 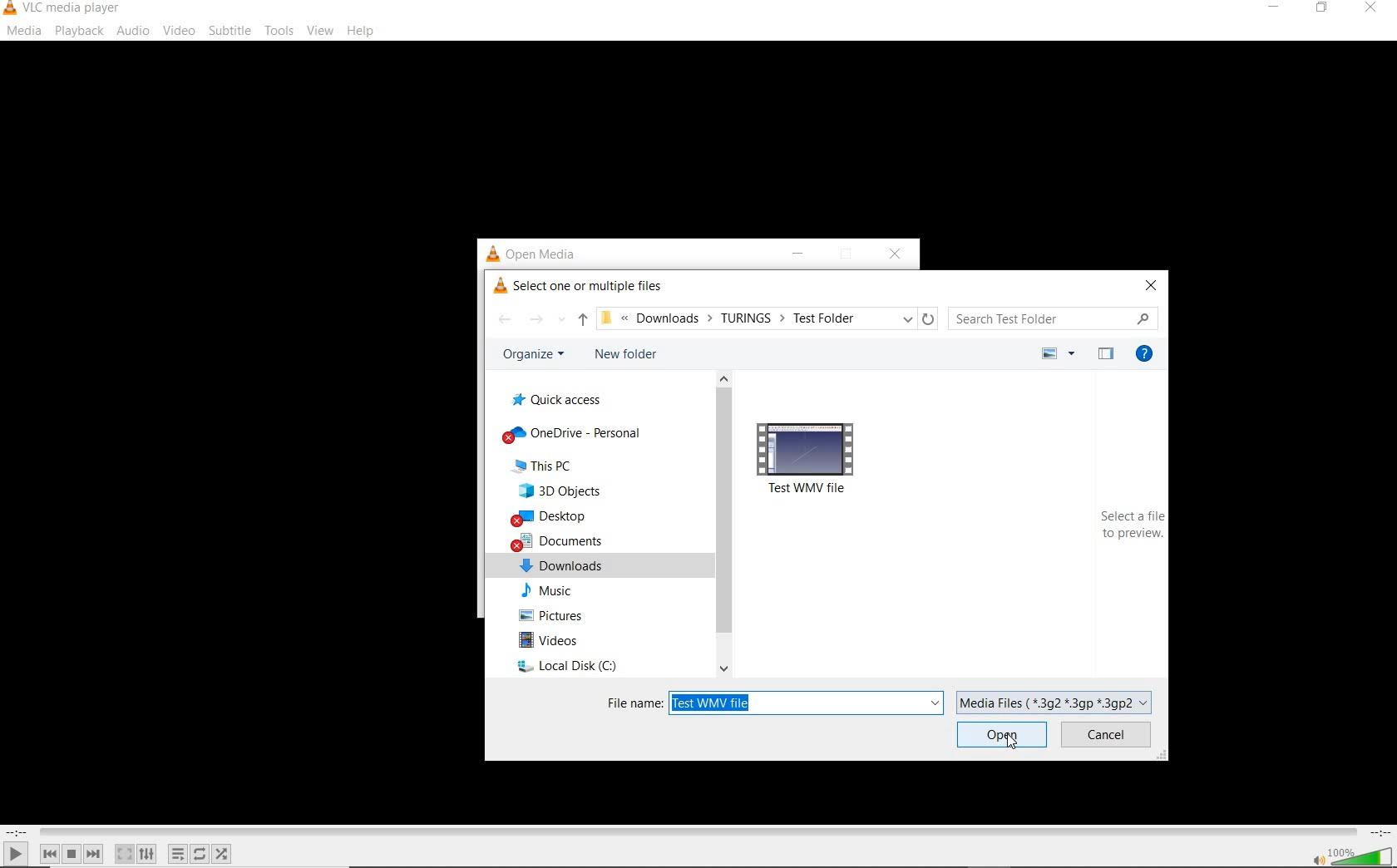 What do you see at coordinates (178, 854) in the screenshot?
I see `toggle playlist` at bounding box center [178, 854].